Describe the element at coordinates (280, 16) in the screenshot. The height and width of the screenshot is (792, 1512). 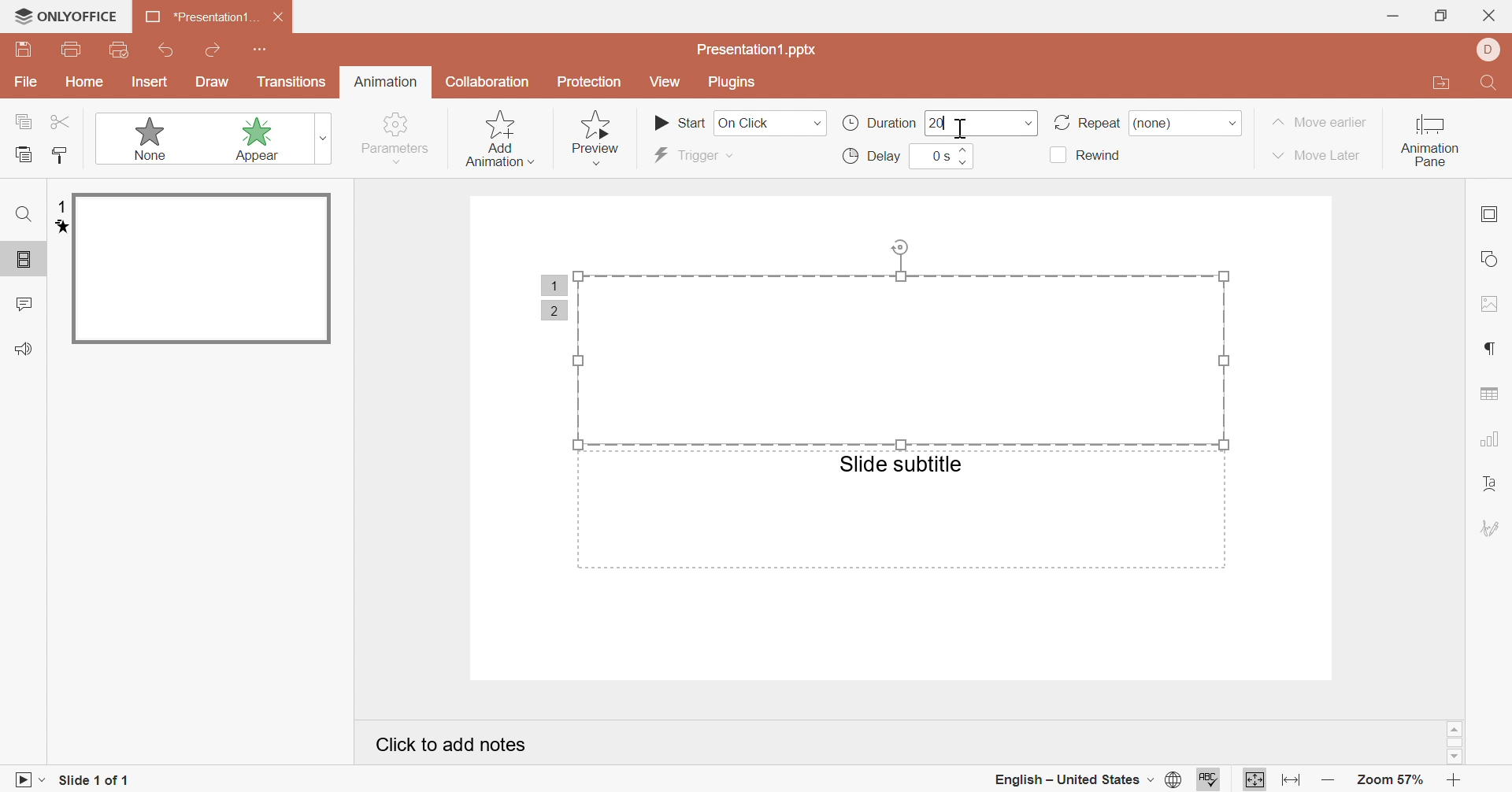
I see `close` at that location.